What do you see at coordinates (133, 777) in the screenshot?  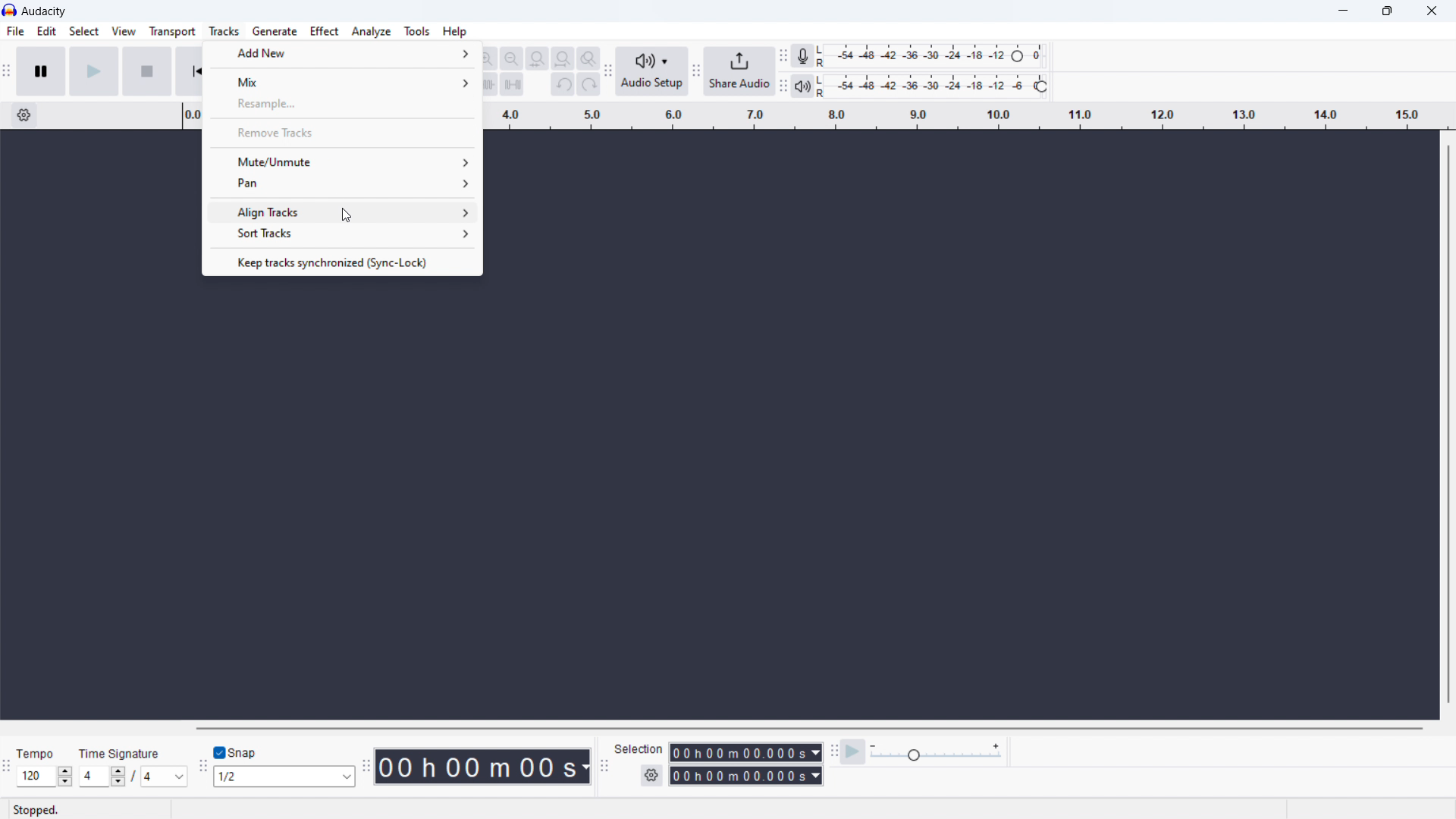 I see `time signature` at bounding box center [133, 777].